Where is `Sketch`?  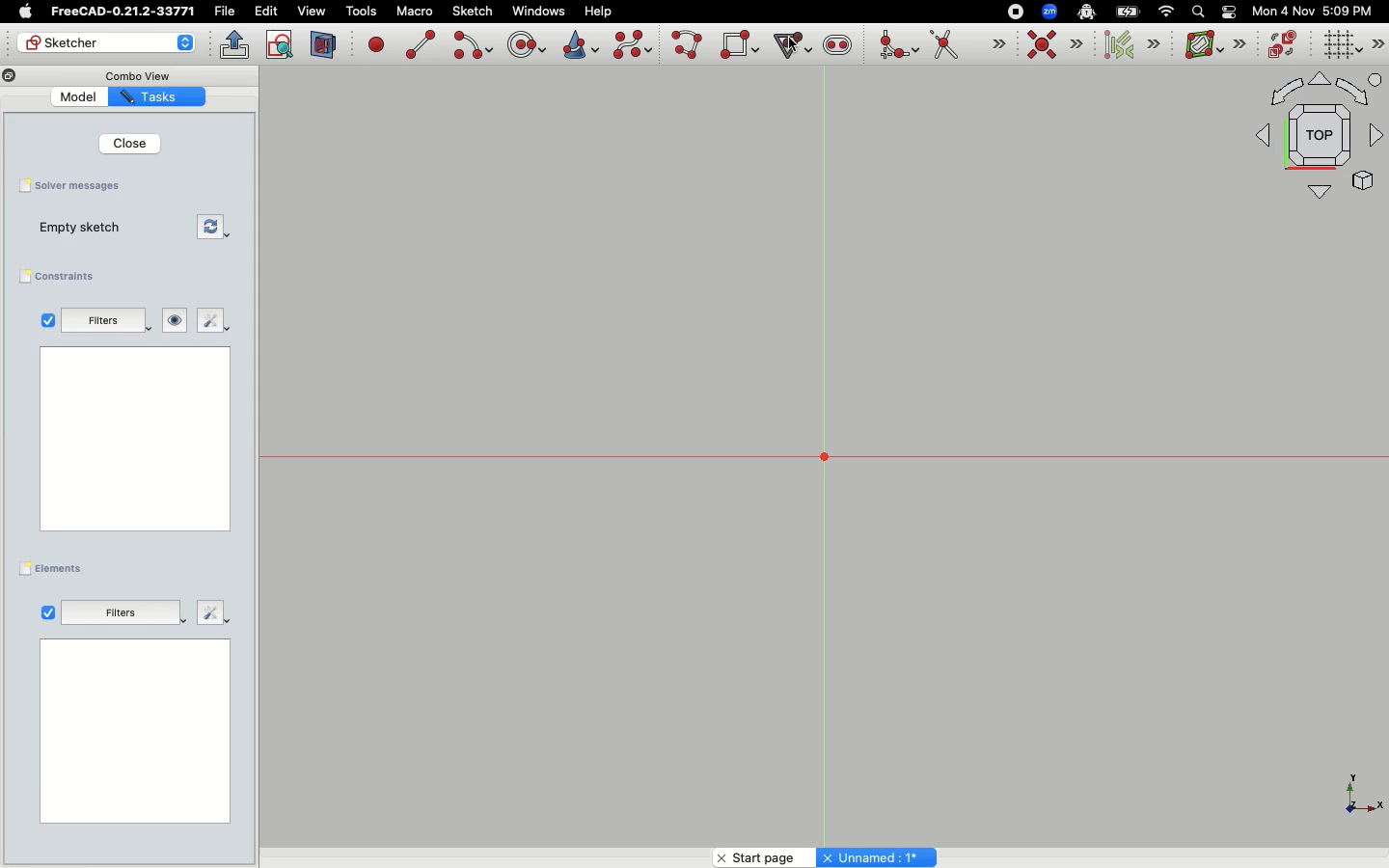
Sketch is located at coordinates (474, 12).